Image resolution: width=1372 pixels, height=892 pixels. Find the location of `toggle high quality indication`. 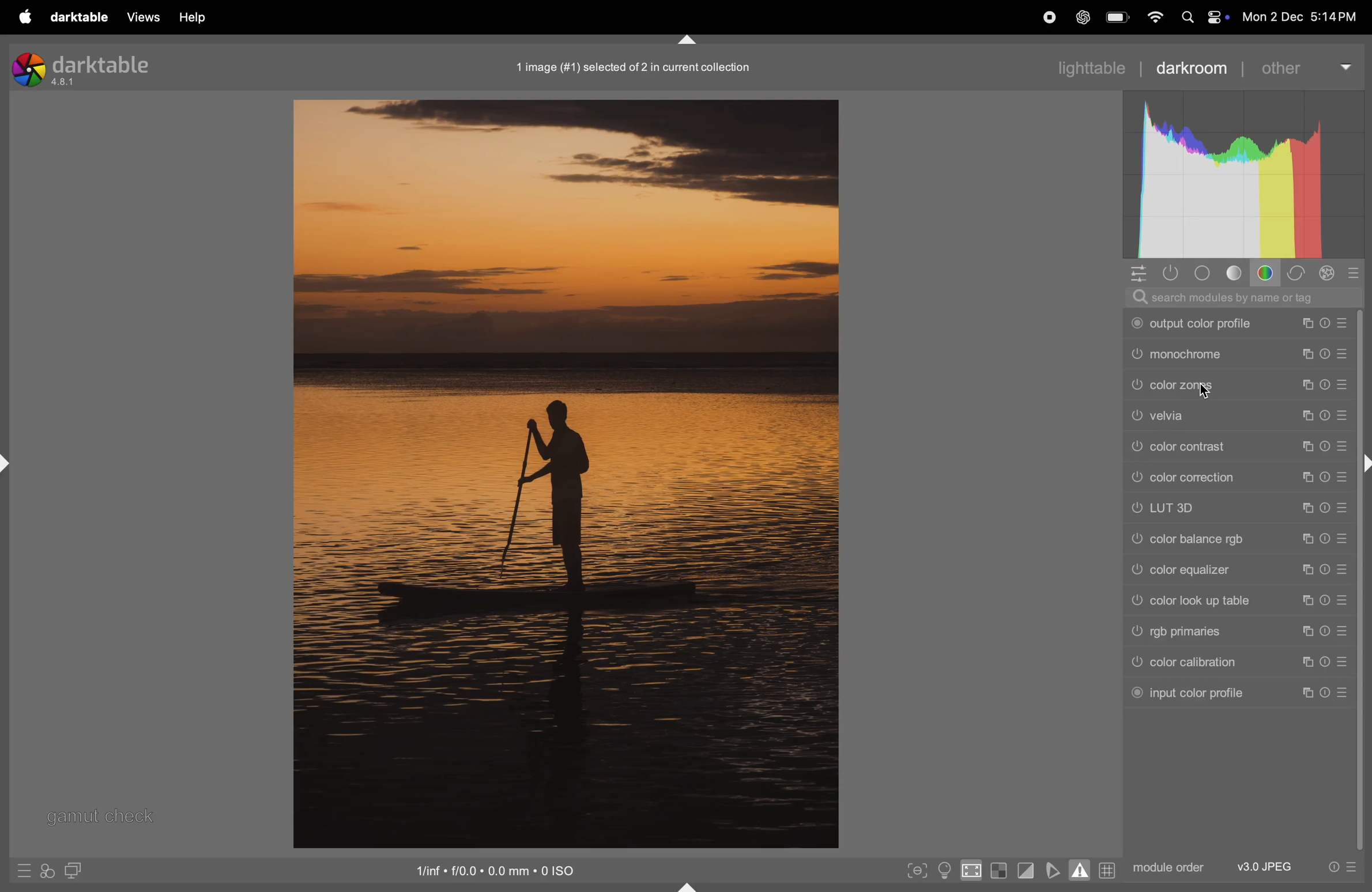

toggle high quality indication is located at coordinates (971, 871).